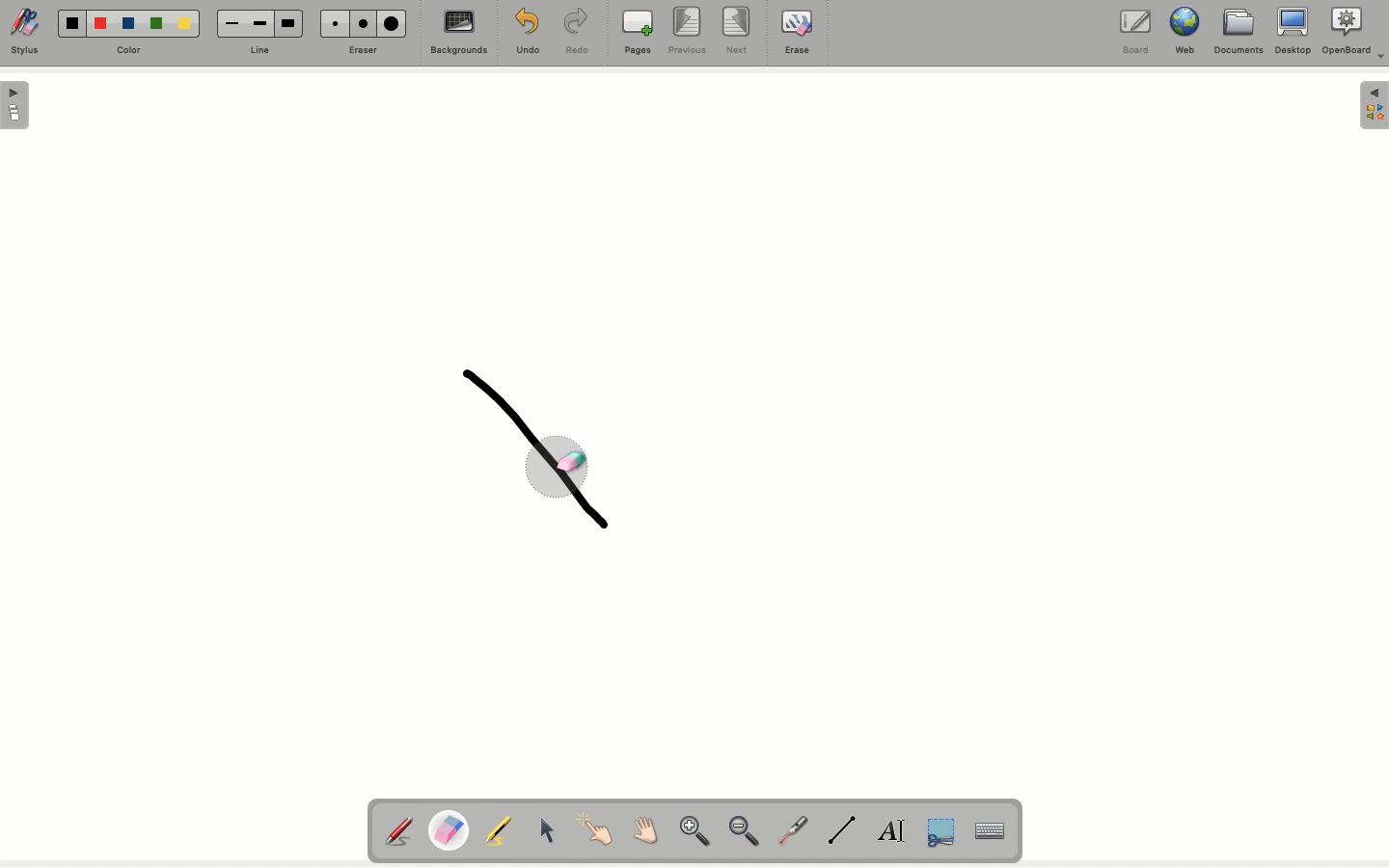 The image size is (1389, 868). I want to click on Undo, so click(526, 31).